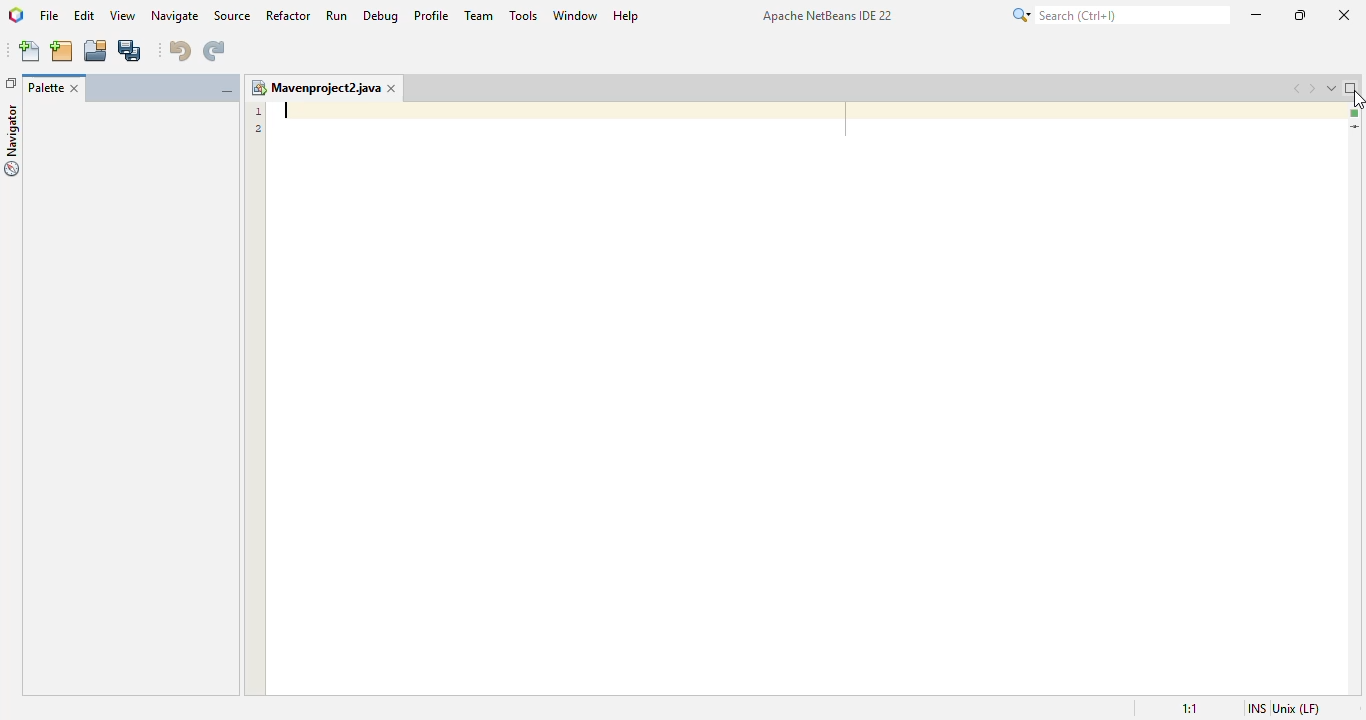 Image resolution: width=1366 pixels, height=720 pixels. I want to click on palette window, so click(129, 400).